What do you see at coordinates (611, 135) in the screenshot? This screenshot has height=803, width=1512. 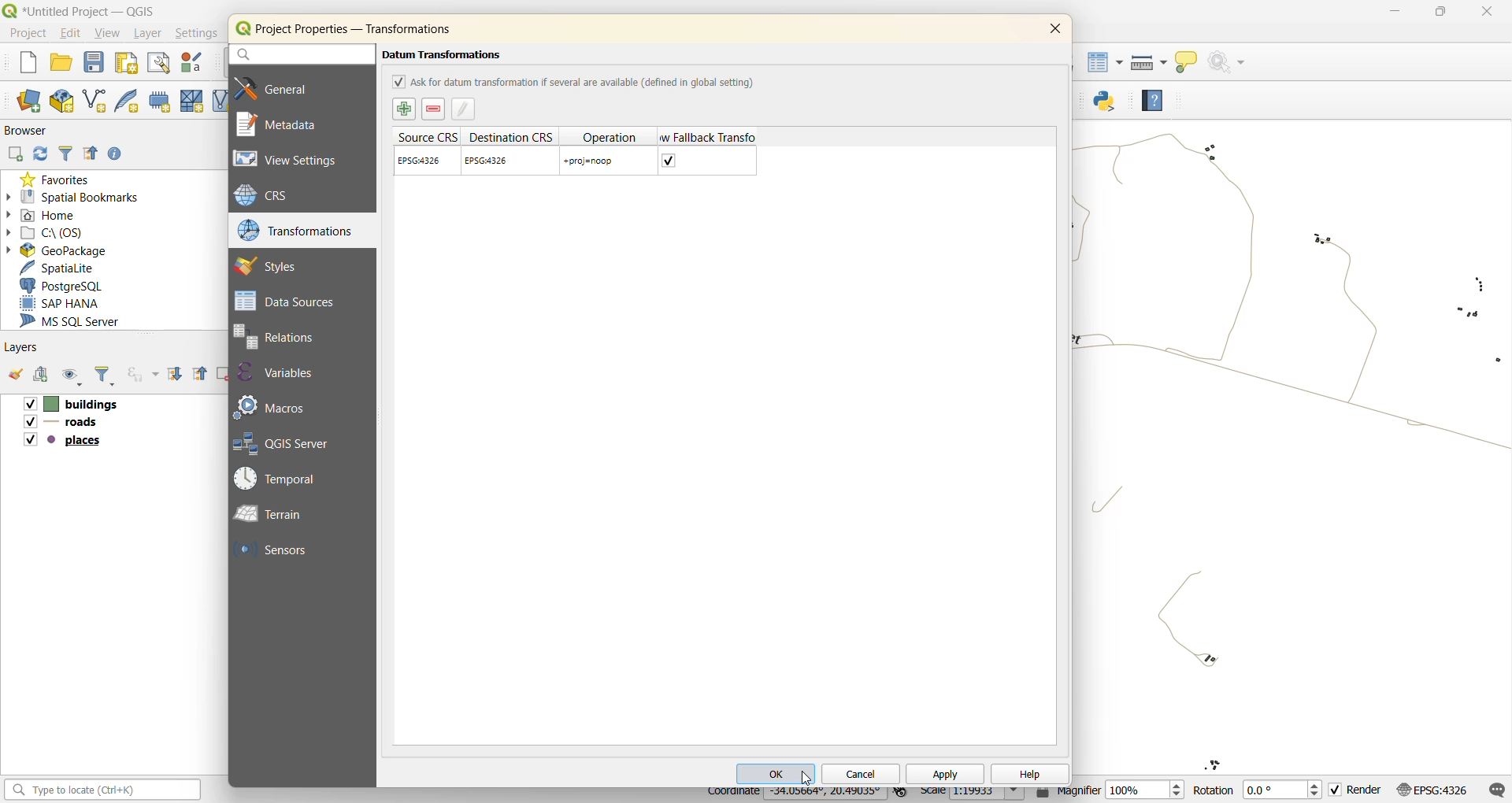 I see `operation` at bounding box center [611, 135].